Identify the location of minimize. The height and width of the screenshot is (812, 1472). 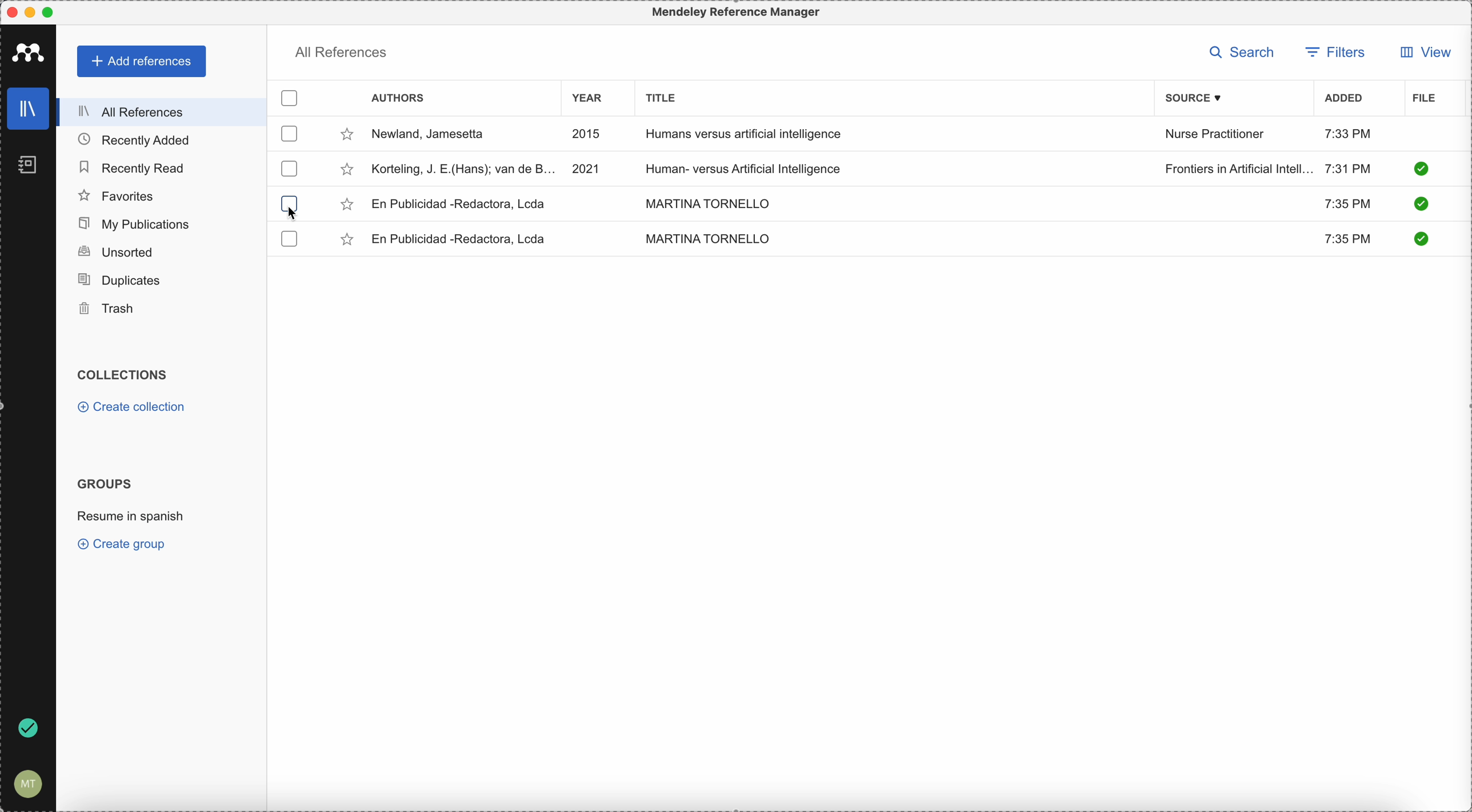
(33, 13).